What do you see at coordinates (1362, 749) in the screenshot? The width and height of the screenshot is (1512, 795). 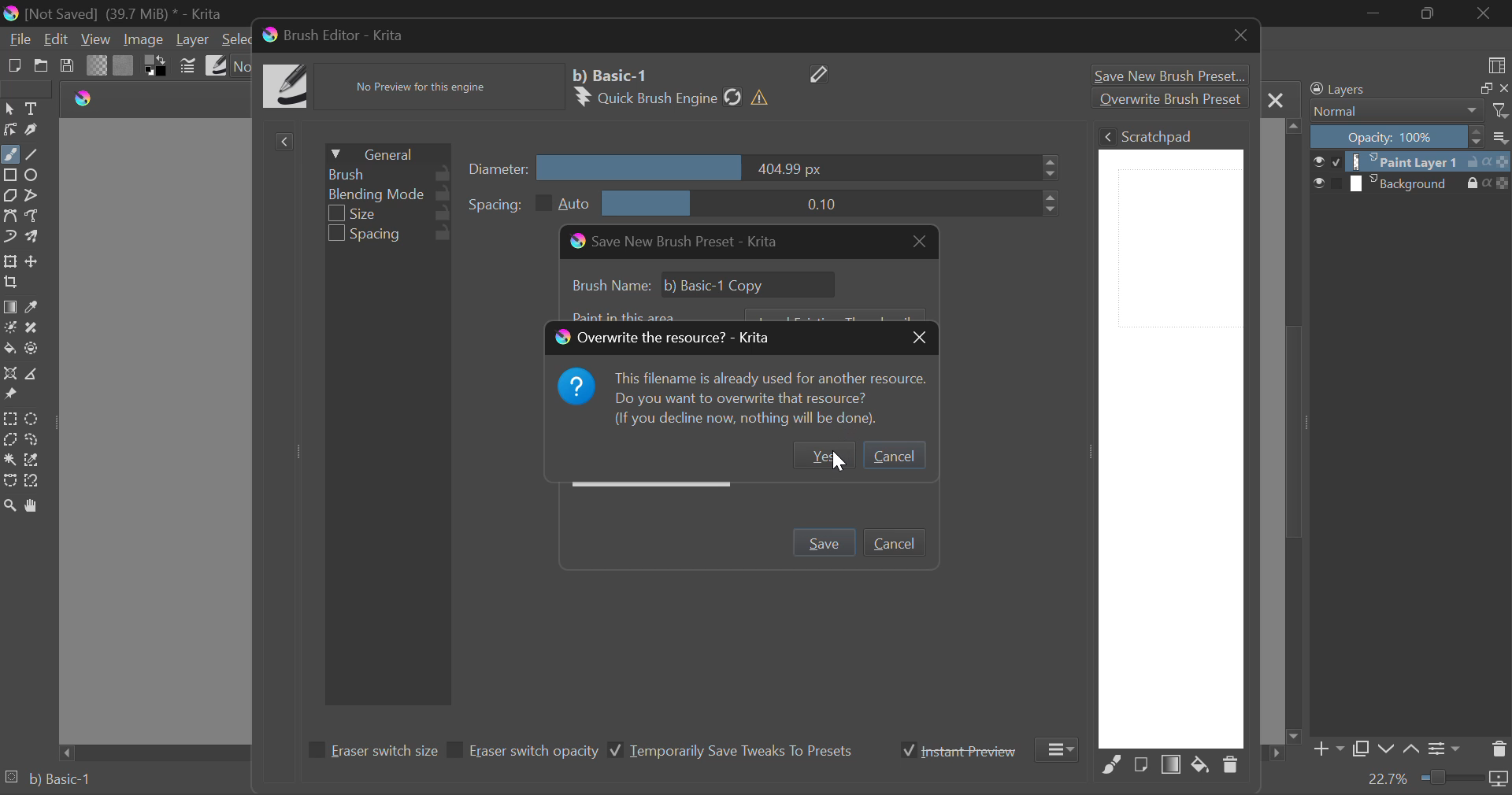 I see `Copy Layer` at bounding box center [1362, 749].